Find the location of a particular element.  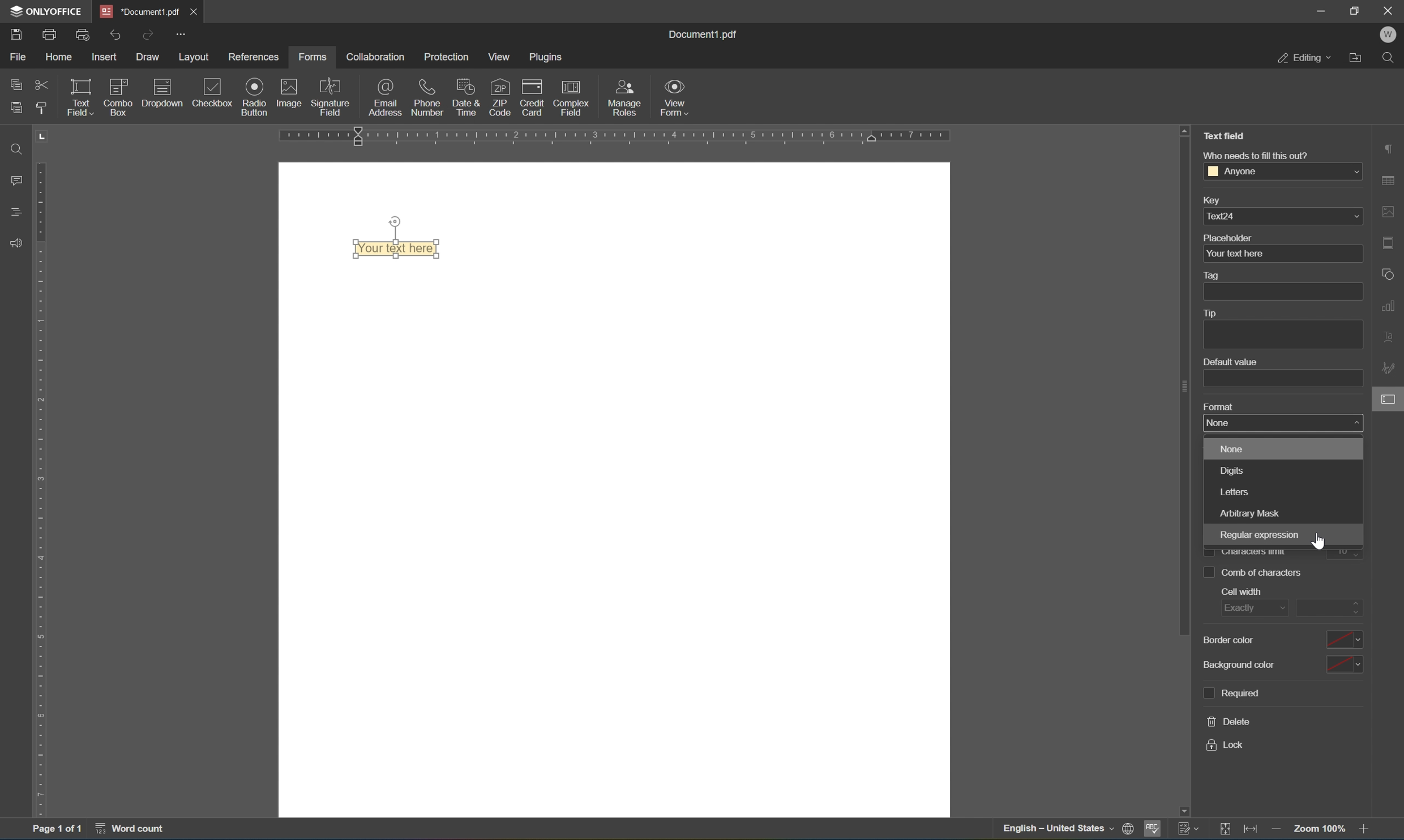

fit to page is located at coordinates (1225, 829).